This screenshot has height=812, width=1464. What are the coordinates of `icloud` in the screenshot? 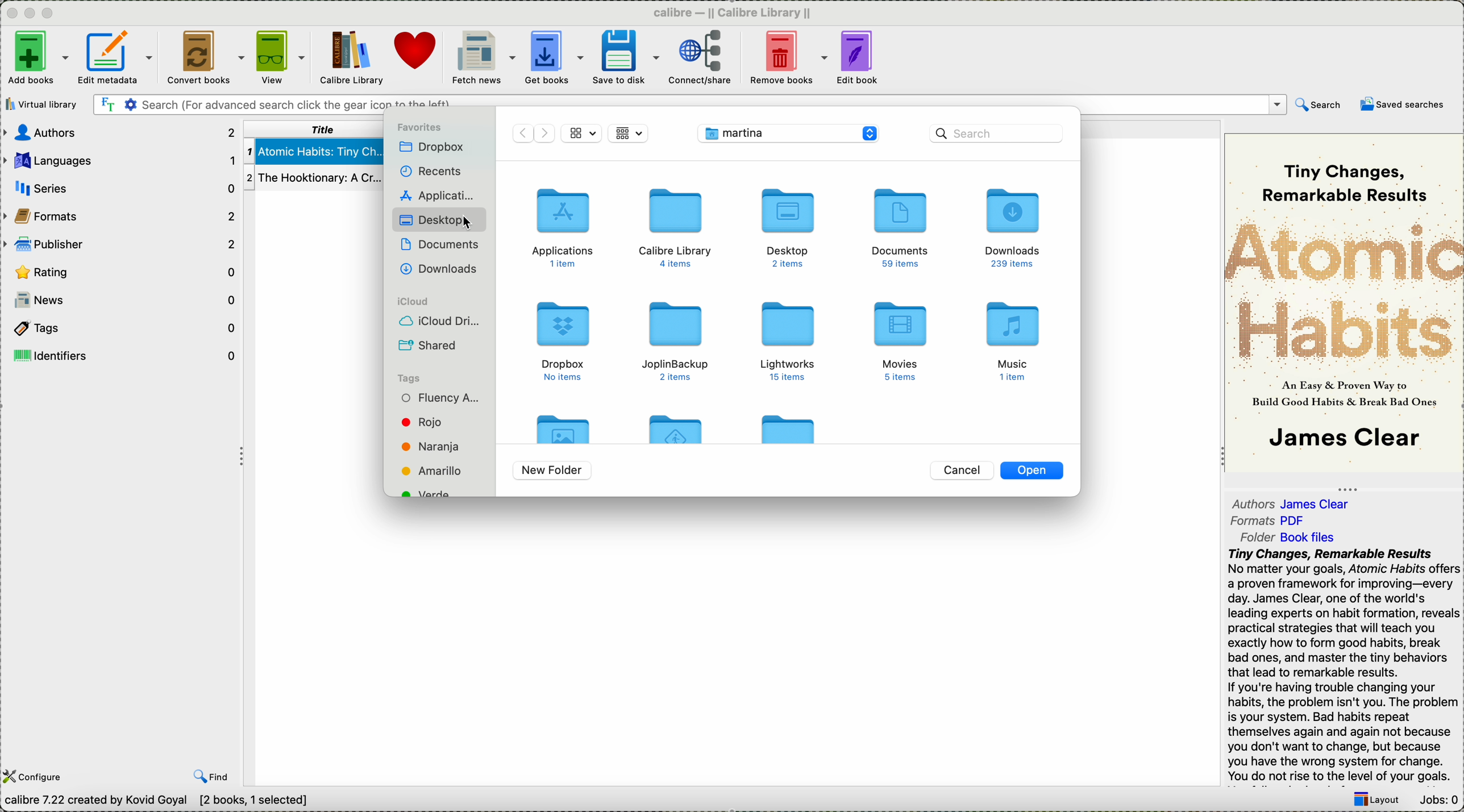 It's located at (411, 300).